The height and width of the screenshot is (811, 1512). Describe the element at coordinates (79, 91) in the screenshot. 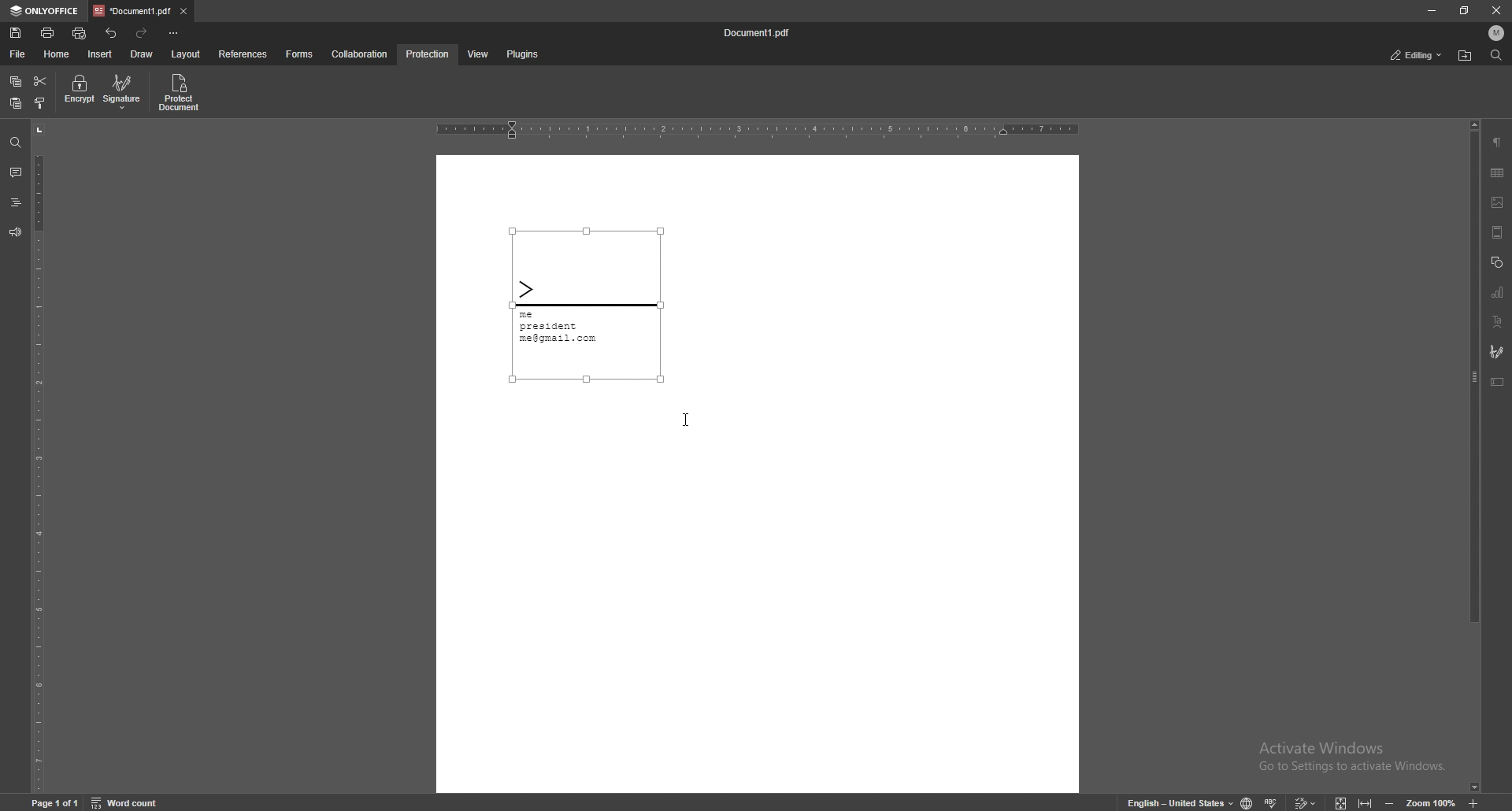

I see `encrypt` at that location.